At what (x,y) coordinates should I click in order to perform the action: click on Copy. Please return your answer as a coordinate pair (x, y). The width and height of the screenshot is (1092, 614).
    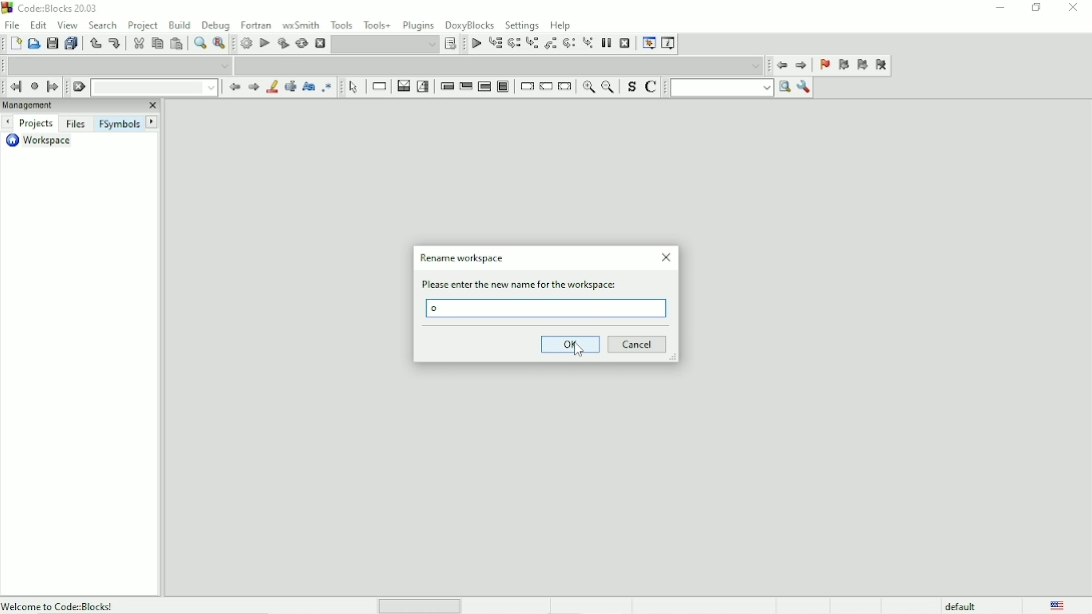
    Looking at the image, I should click on (156, 44).